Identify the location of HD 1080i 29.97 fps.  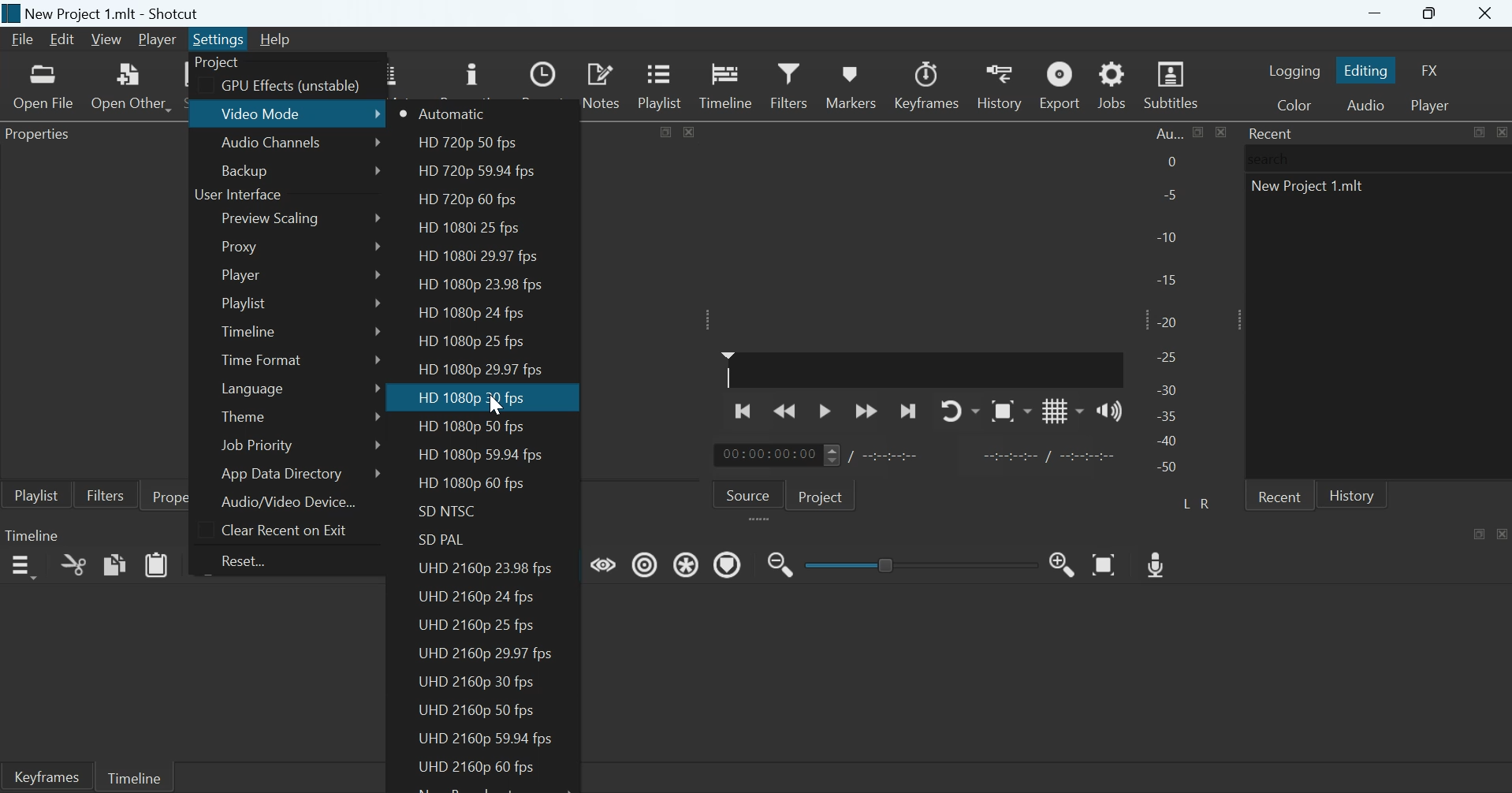
(477, 255).